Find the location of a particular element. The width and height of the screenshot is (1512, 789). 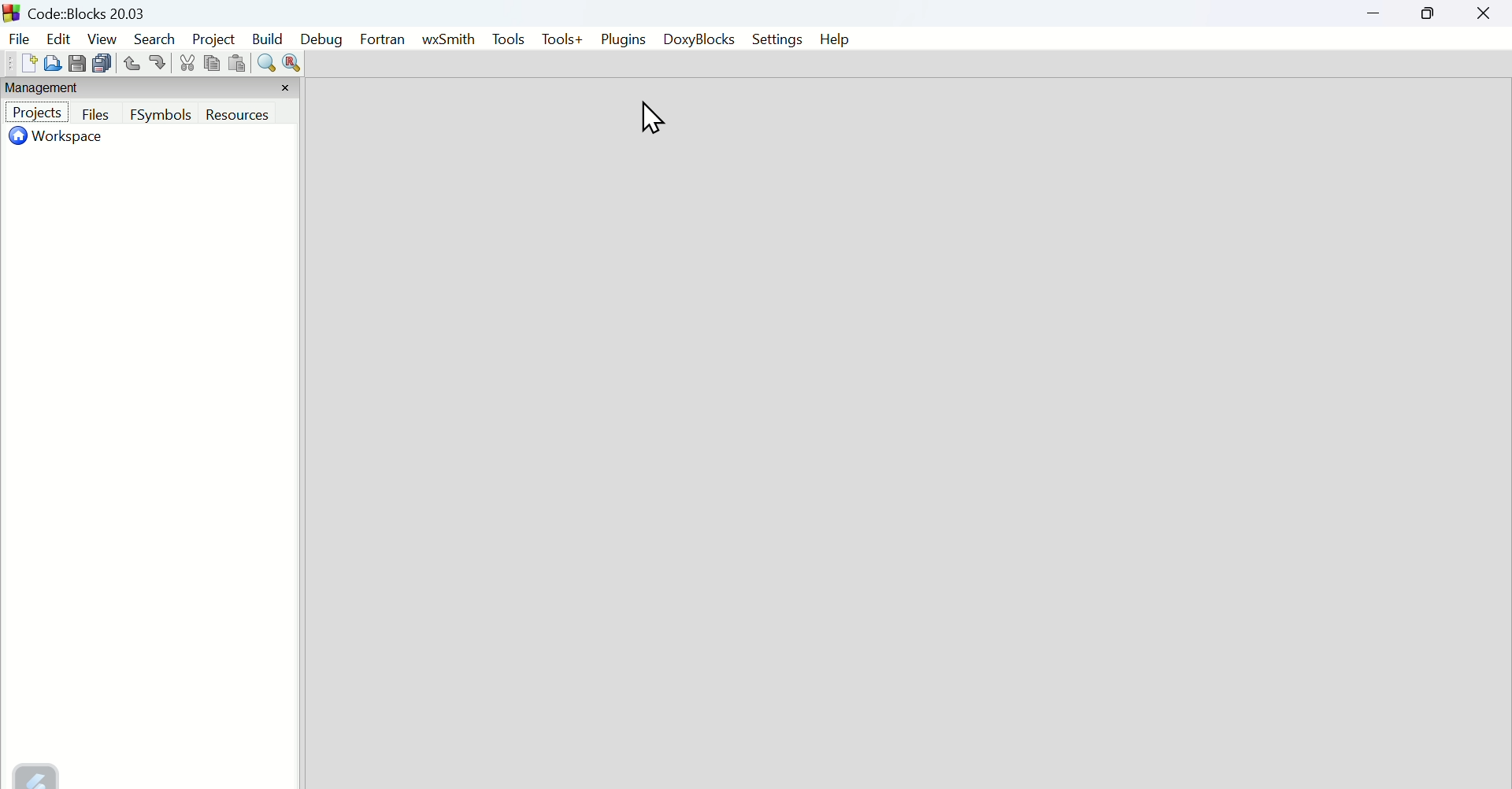

Tools+ is located at coordinates (562, 40).